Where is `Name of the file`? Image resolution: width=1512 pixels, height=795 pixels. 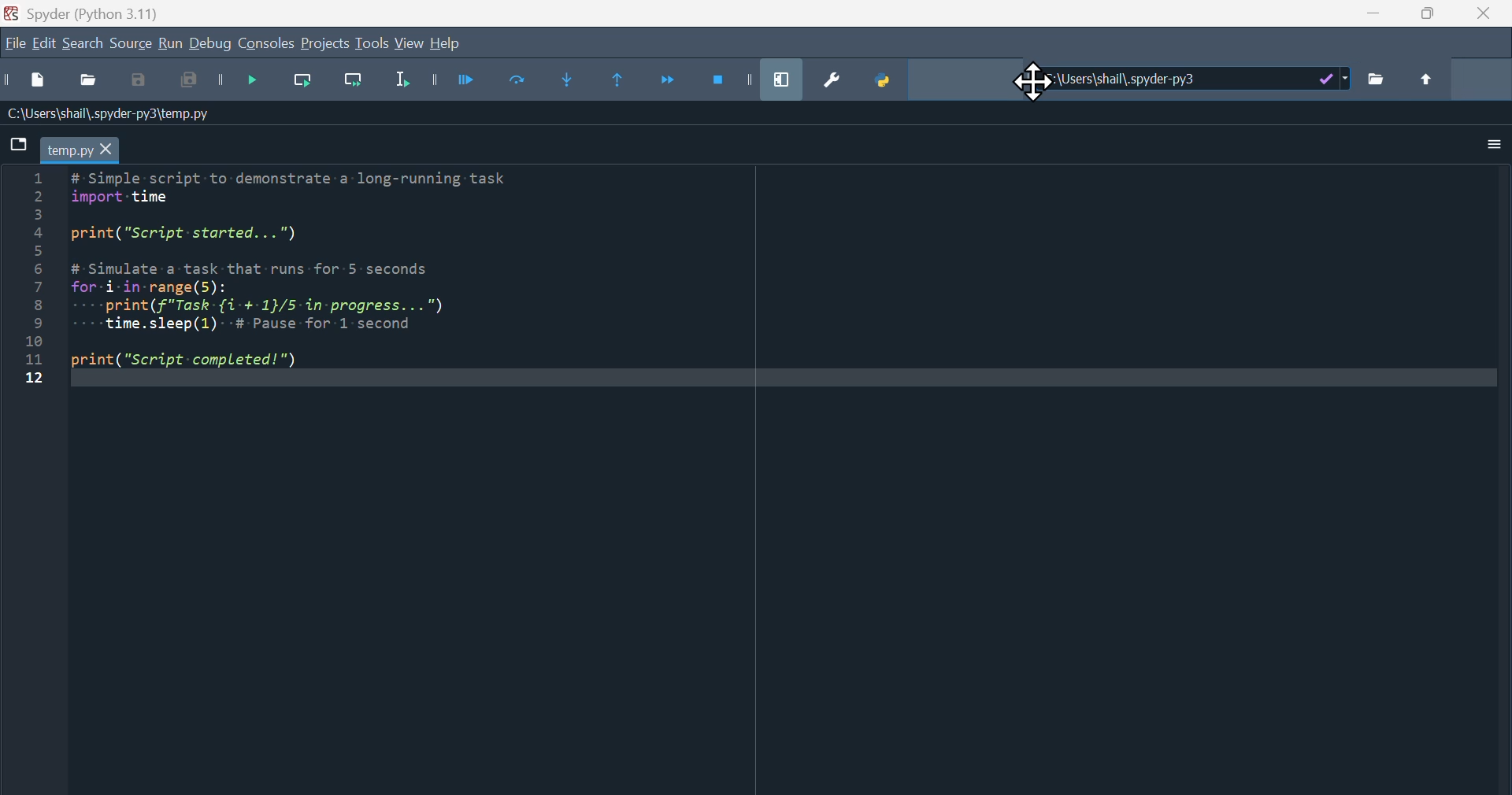 Name of the file is located at coordinates (109, 112).